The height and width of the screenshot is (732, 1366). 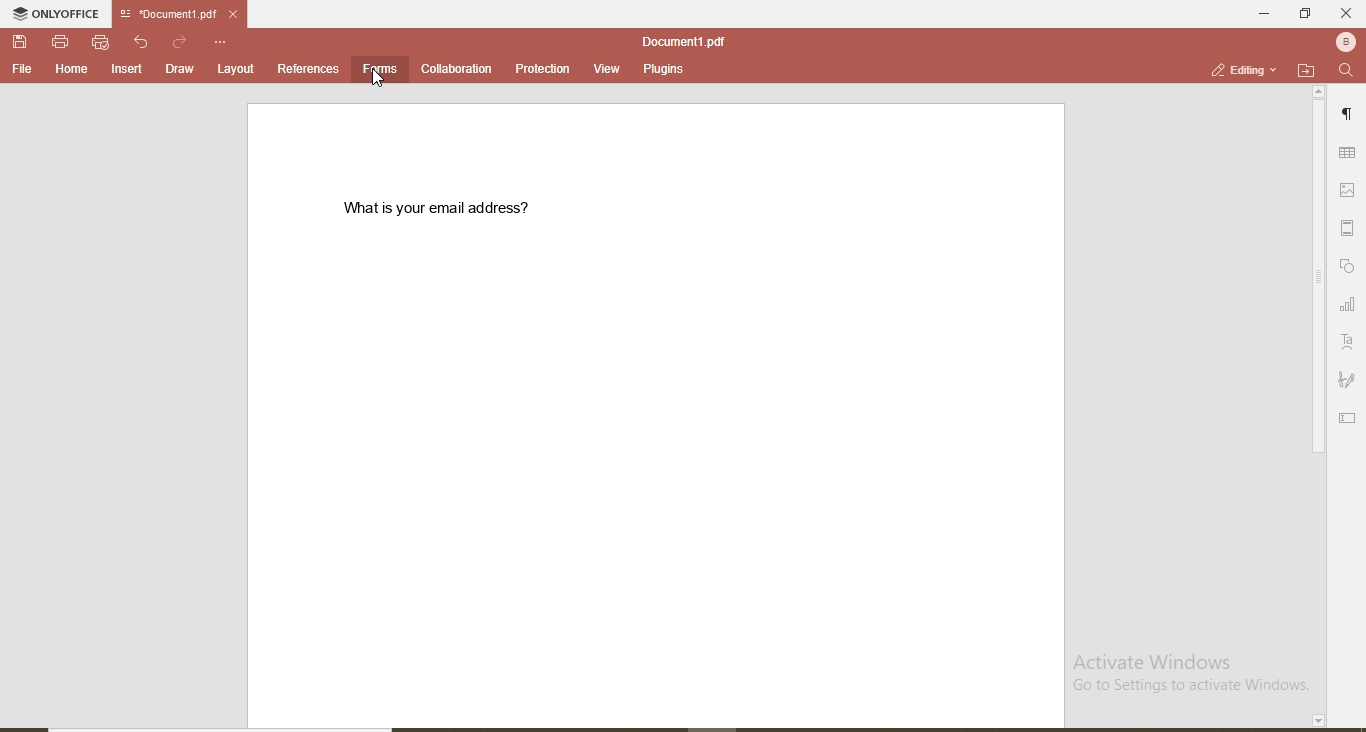 I want to click on undo, so click(x=144, y=42).